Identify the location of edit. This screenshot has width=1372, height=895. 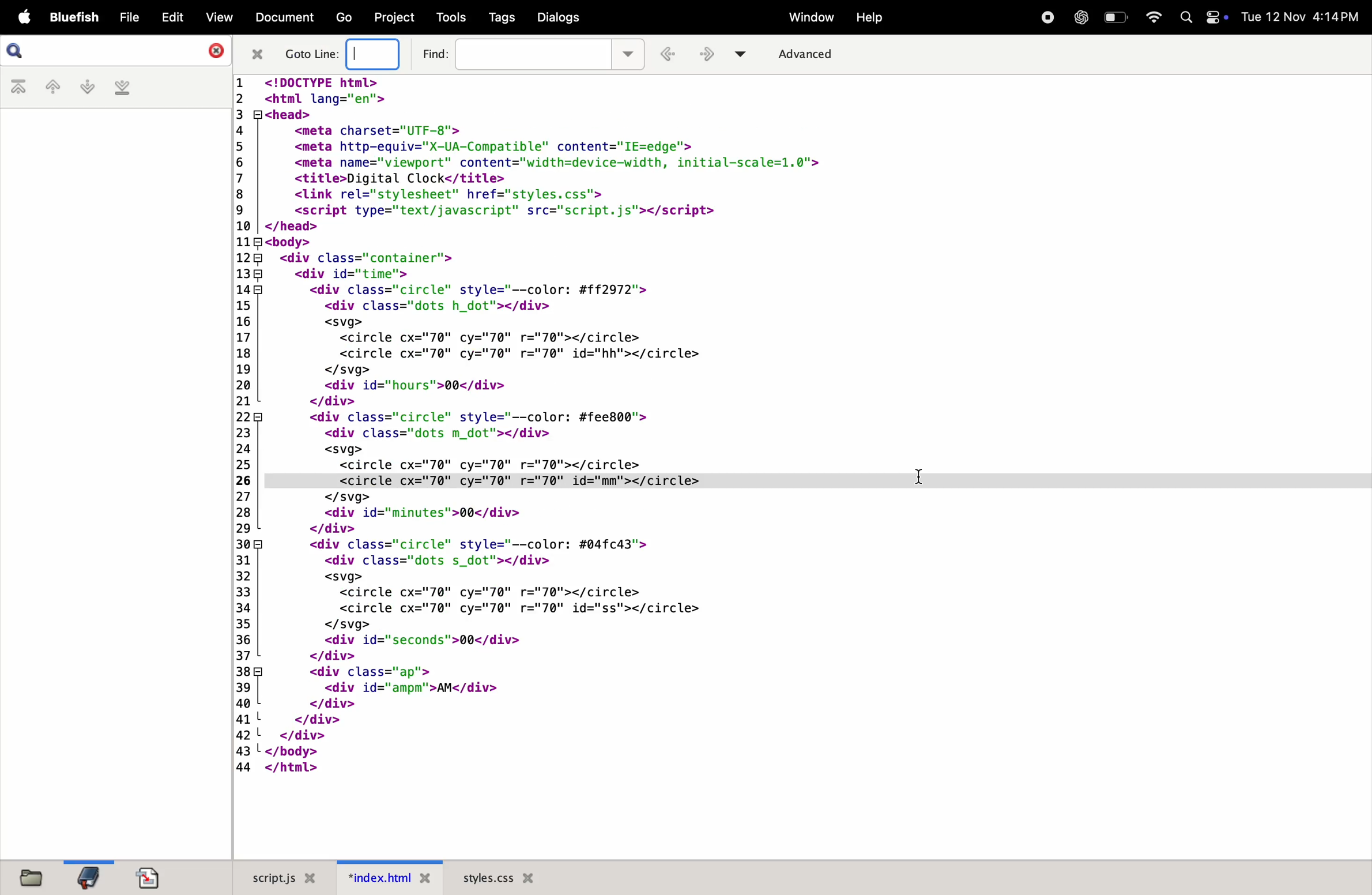
(168, 17).